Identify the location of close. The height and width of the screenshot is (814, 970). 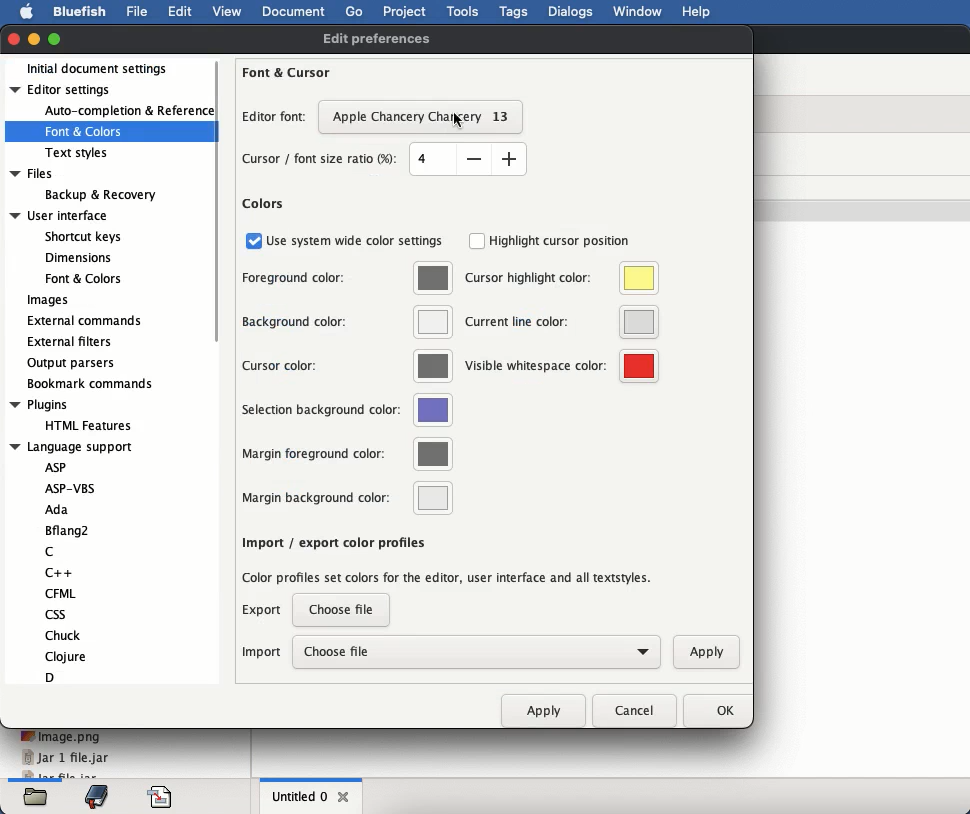
(345, 797).